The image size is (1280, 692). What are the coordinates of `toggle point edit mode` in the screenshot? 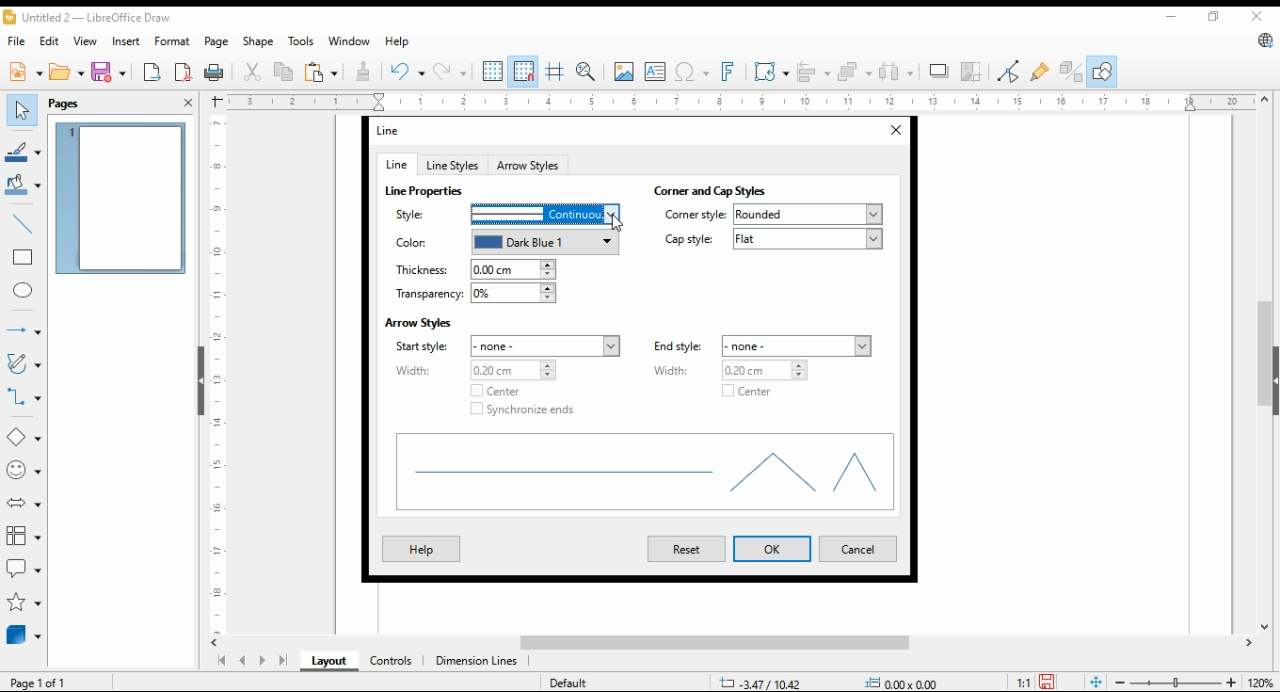 It's located at (1009, 71).